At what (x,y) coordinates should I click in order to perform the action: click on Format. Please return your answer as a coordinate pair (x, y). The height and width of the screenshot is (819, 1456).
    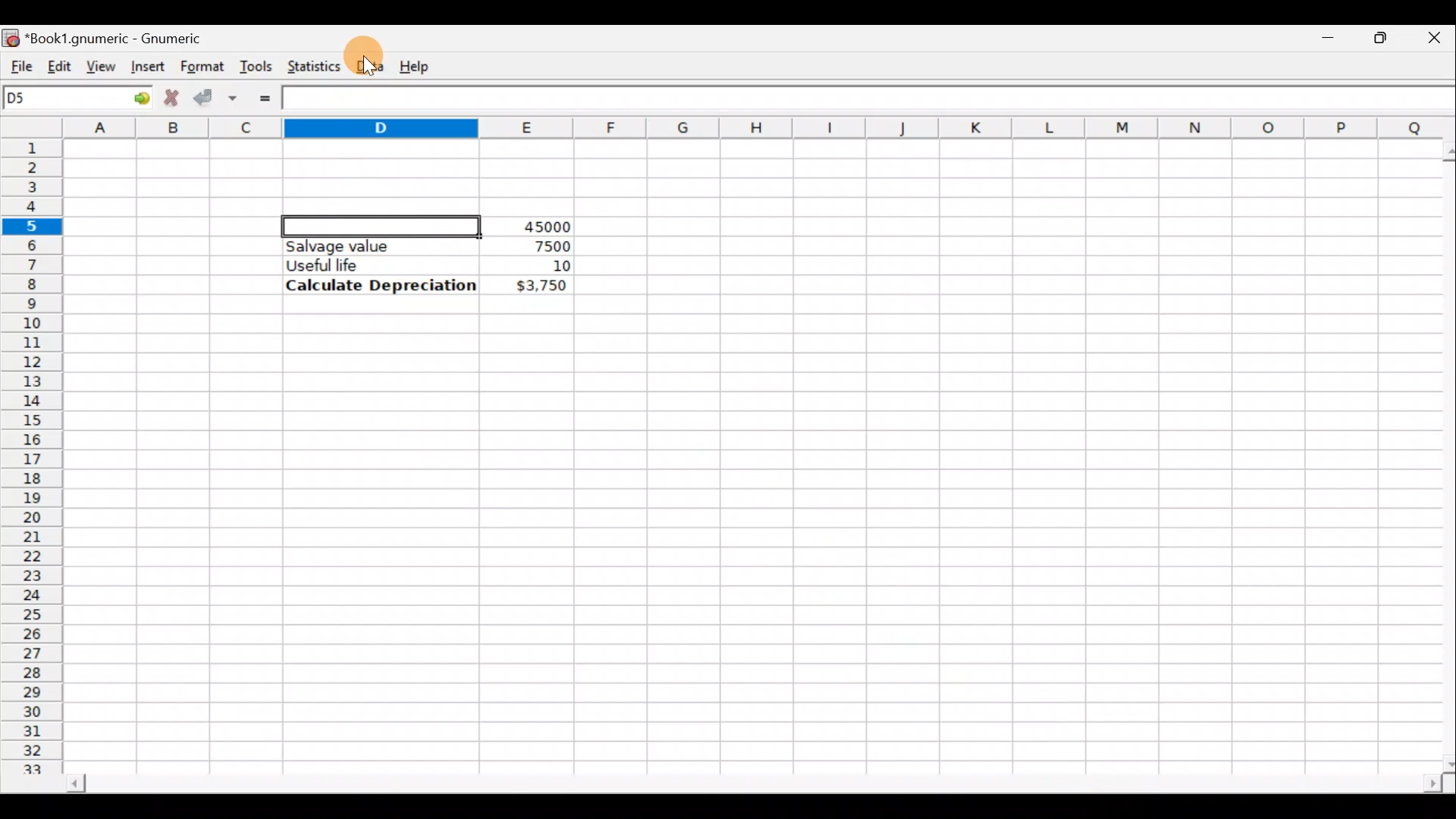
    Looking at the image, I should click on (201, 67).